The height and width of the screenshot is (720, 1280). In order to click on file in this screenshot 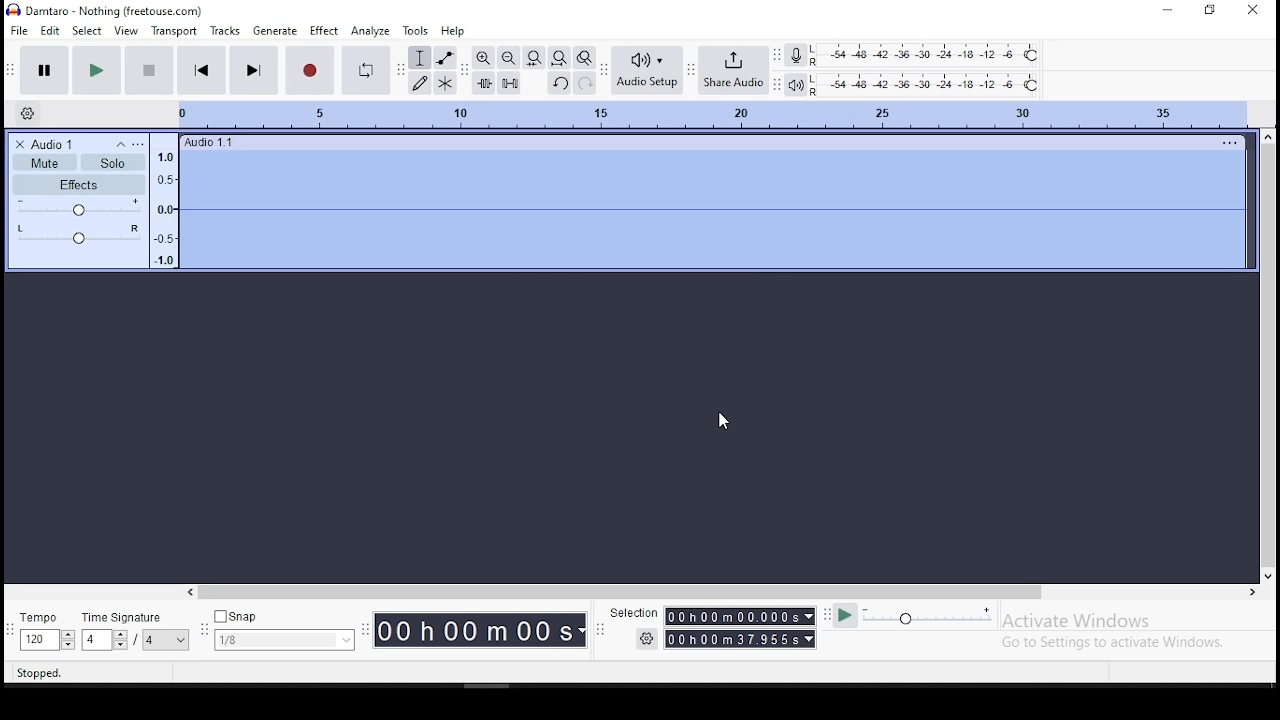, I will do `click(20, 30)`.